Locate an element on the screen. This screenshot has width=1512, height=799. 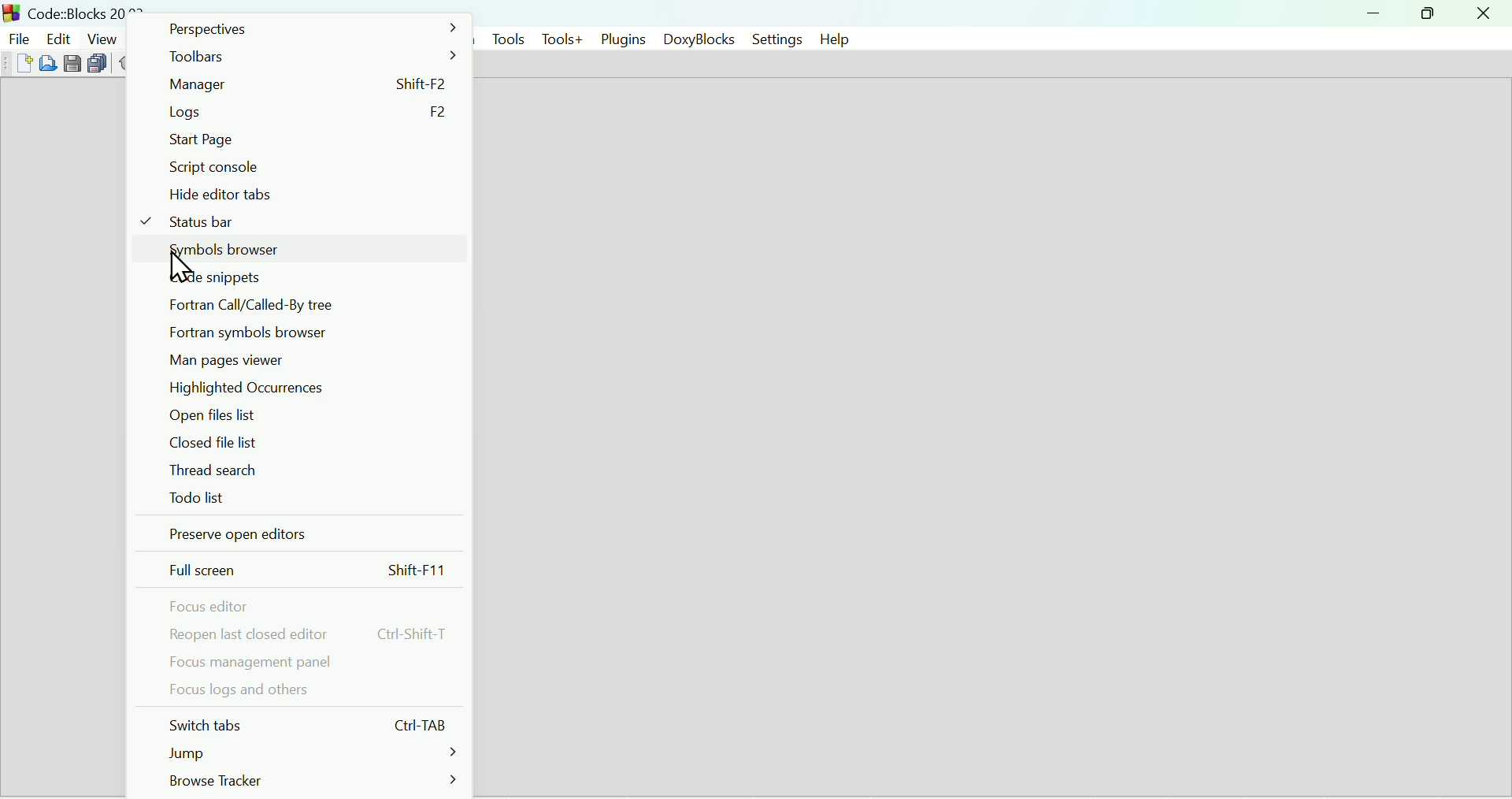
Tools+ is located at coordinates (562, 39).